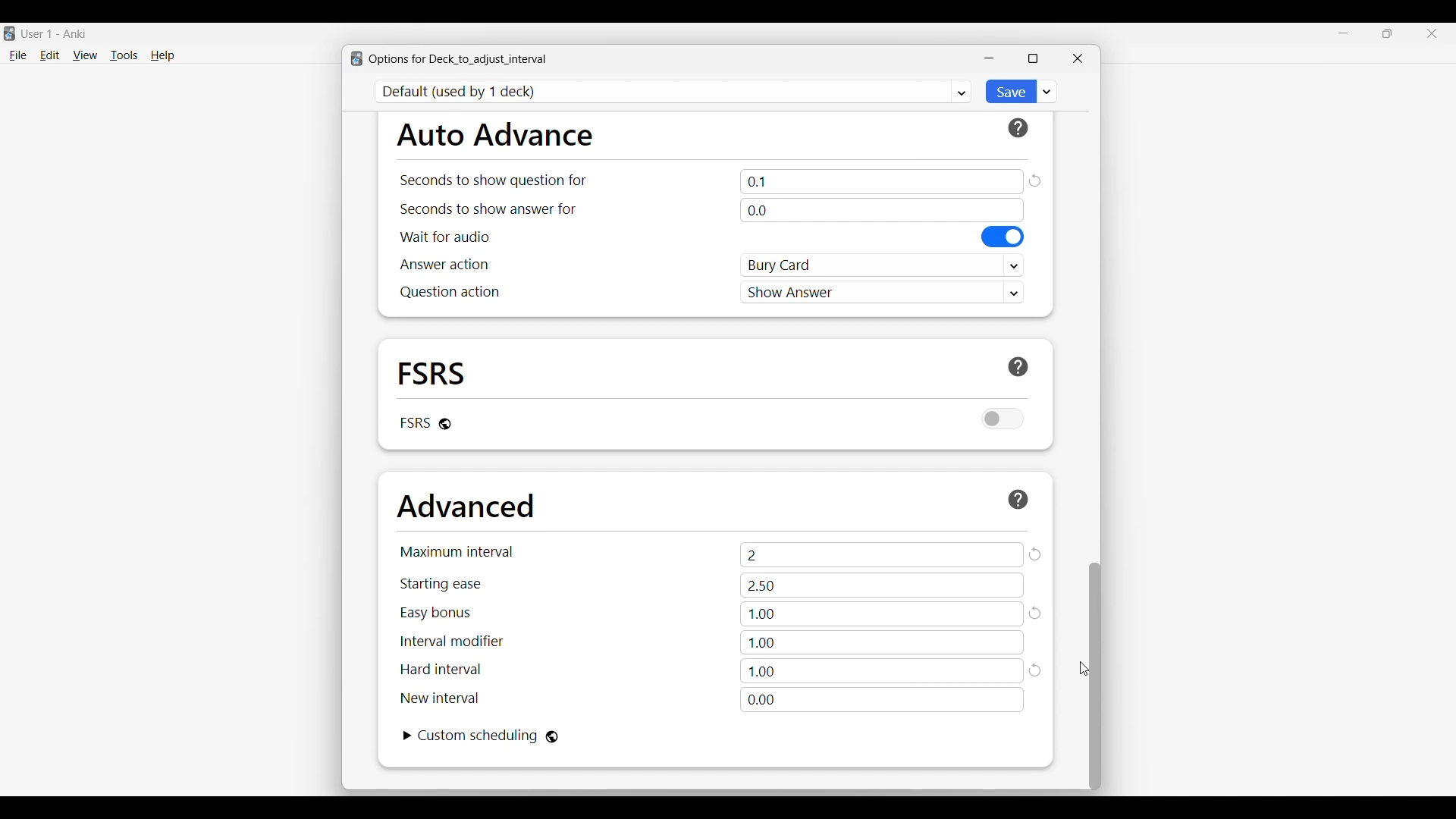 The width and height of the screenshot is (1456, 819). Describe the element at coordinates (162, 56) in the screenshot. I see `Help menu` at that location.